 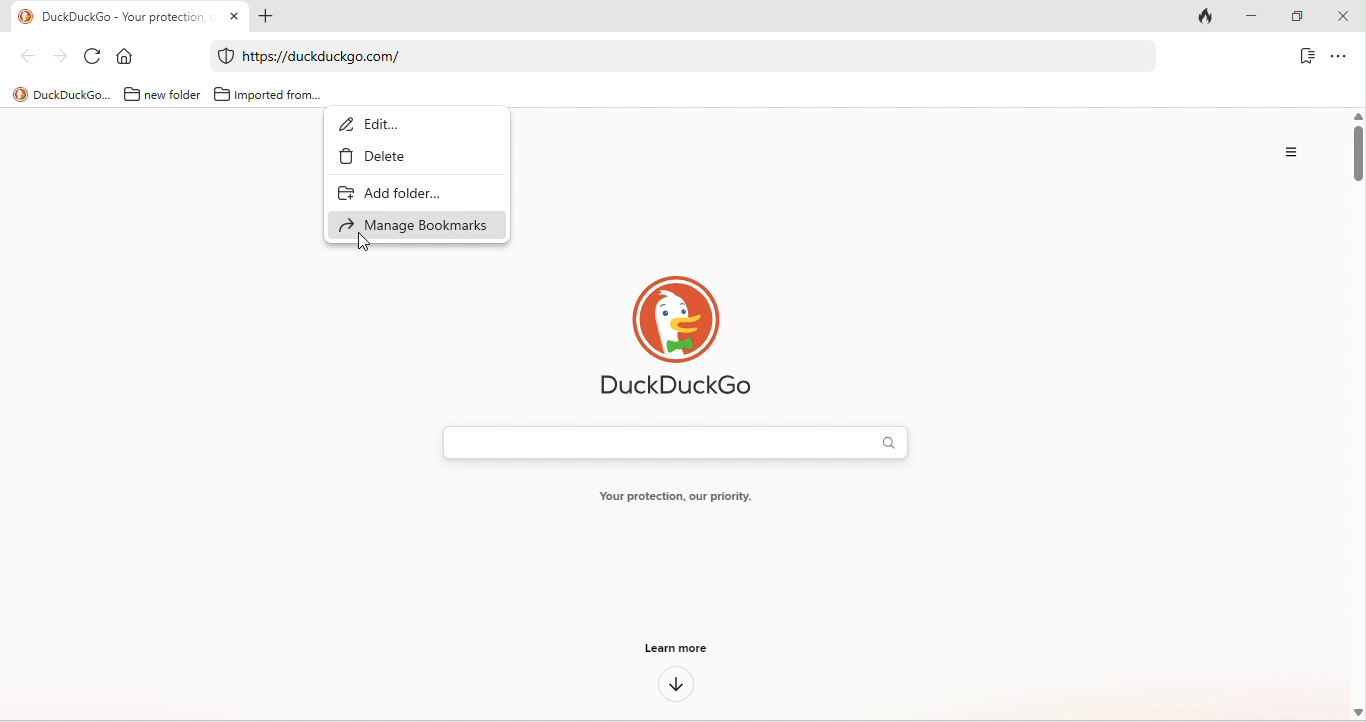 I want to click on option, so click(x=1340, y=57).